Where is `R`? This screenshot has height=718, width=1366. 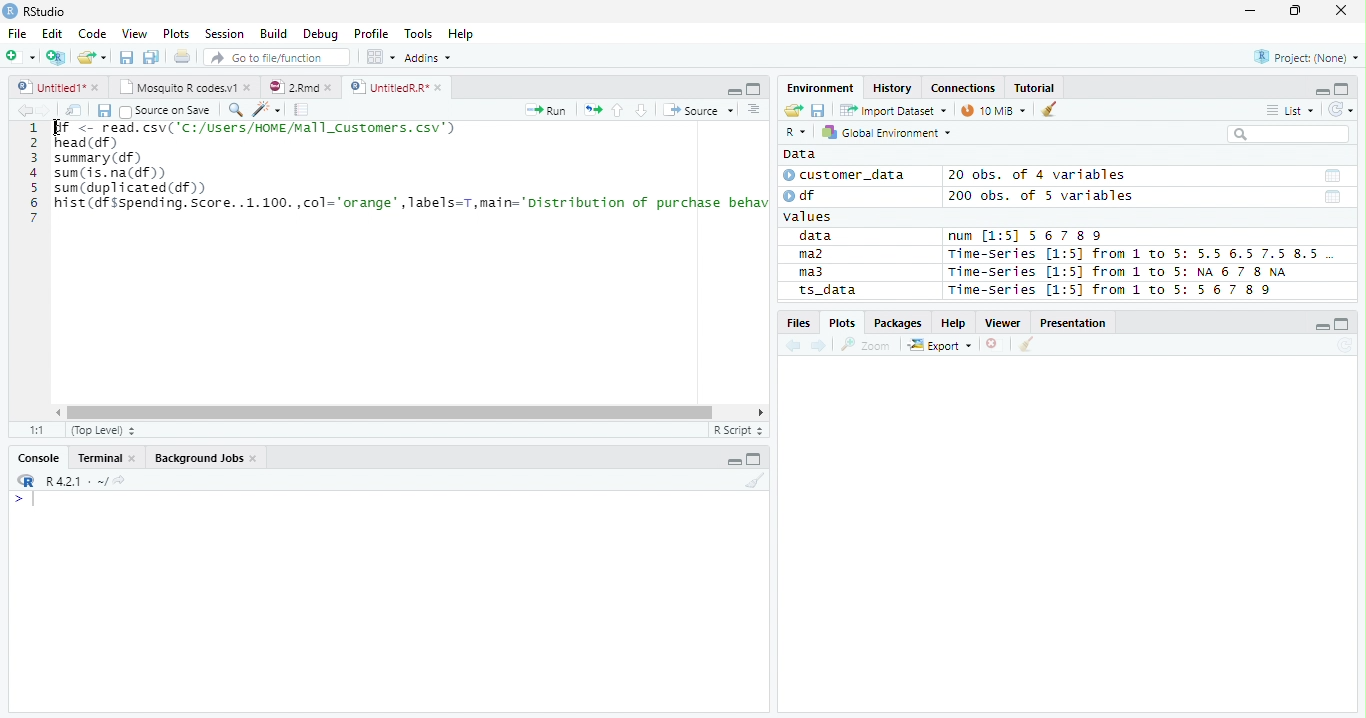
R is located at coordinates (24, 481).